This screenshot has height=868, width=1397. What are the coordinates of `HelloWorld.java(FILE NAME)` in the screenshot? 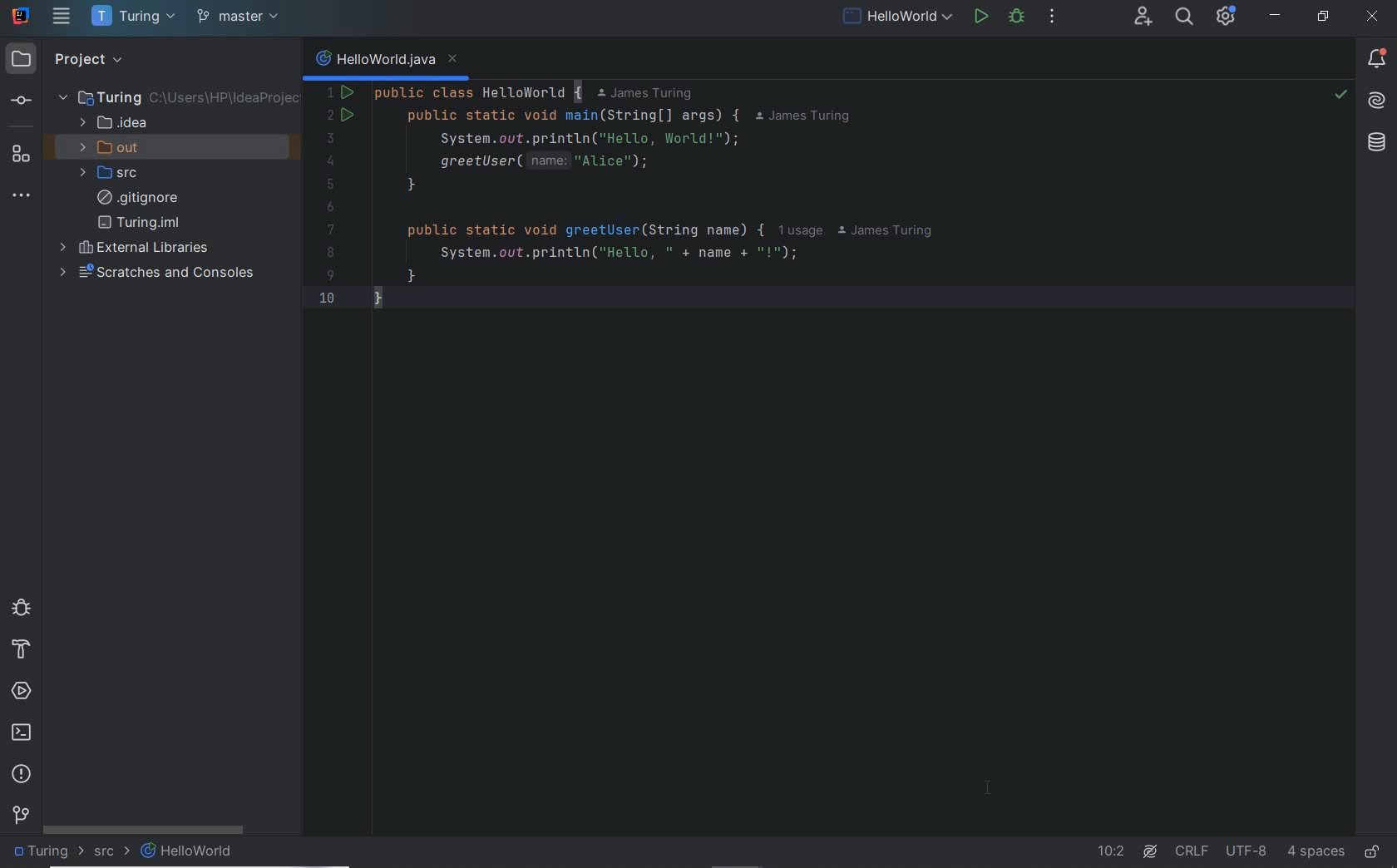 It's located at (388, 62).